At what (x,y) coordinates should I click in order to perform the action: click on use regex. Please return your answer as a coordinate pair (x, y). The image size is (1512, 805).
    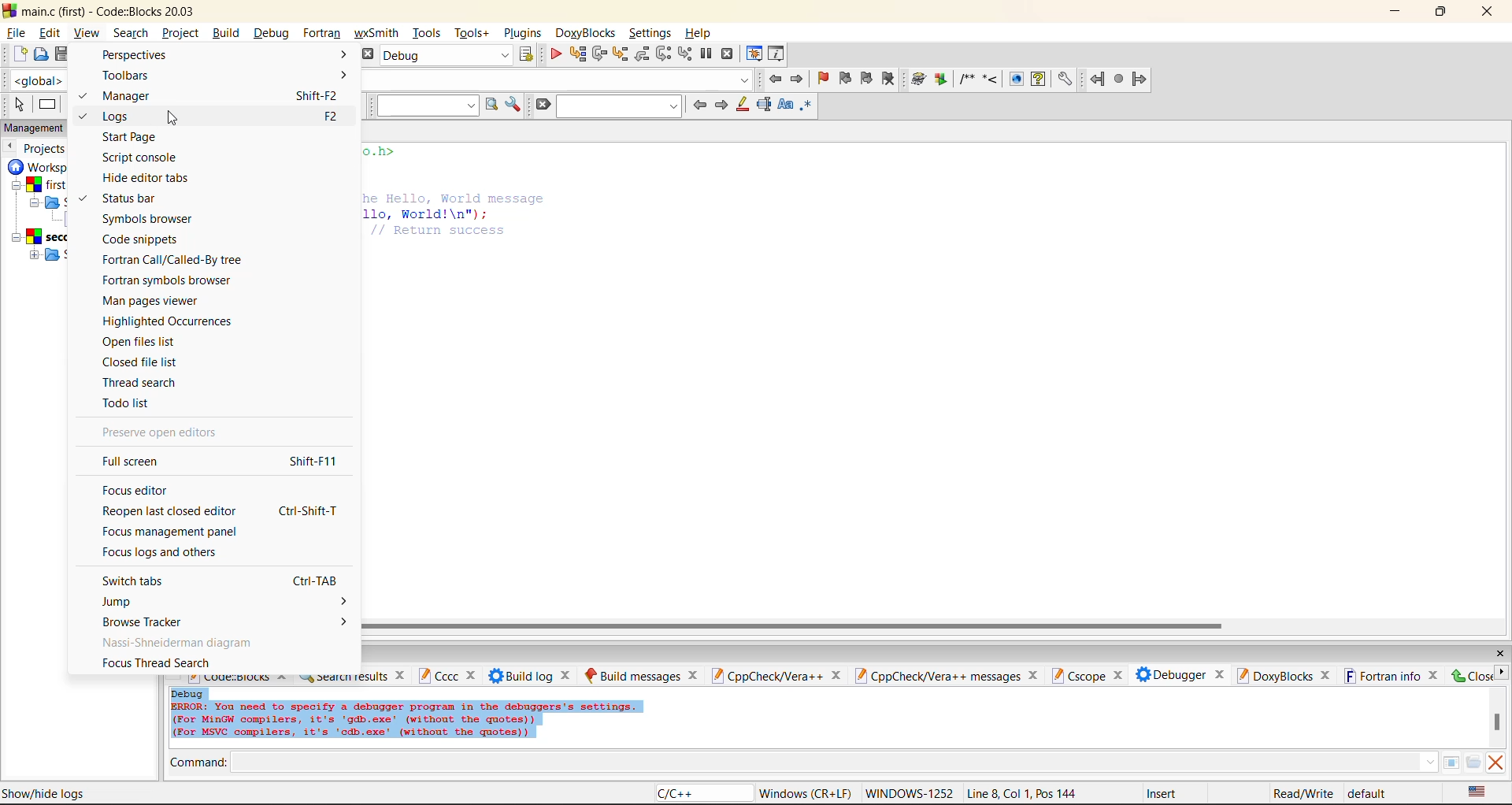
    Looking at the image, I should click on (810, 107).